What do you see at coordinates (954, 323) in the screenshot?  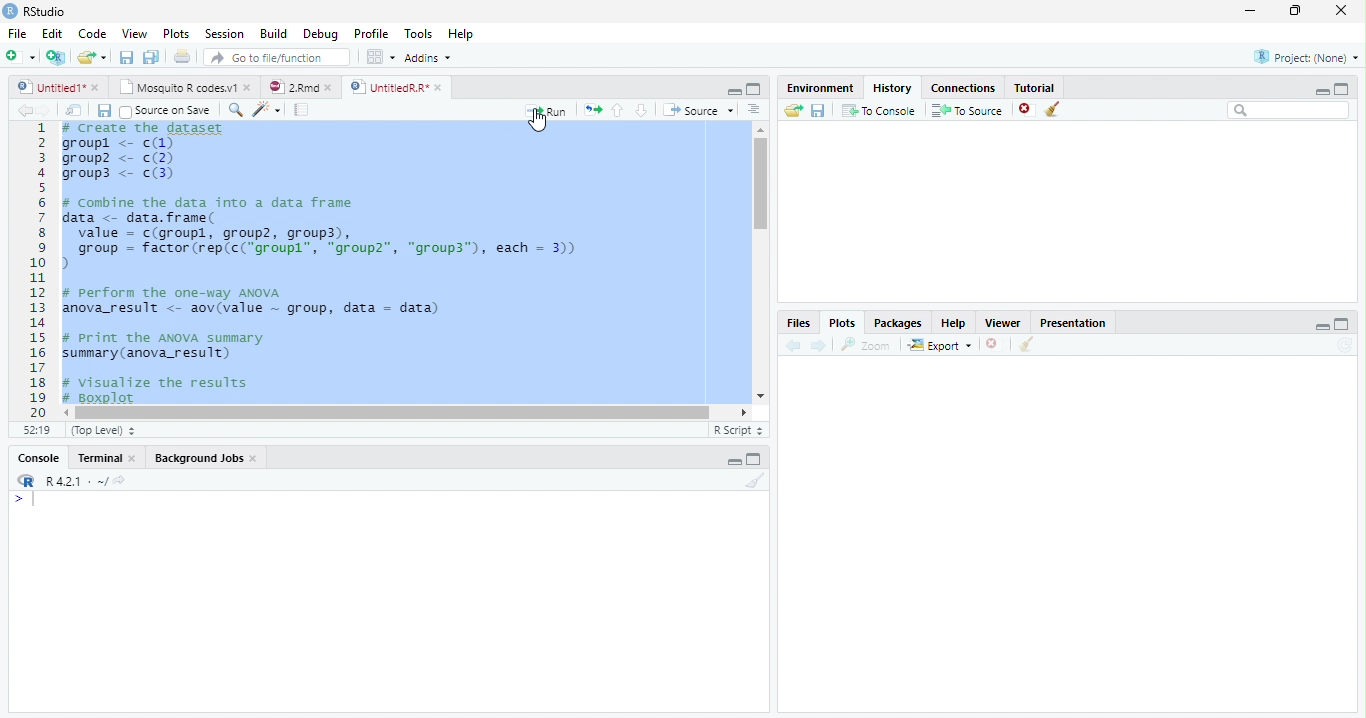 I see `help` at bounding box center [954, 323].